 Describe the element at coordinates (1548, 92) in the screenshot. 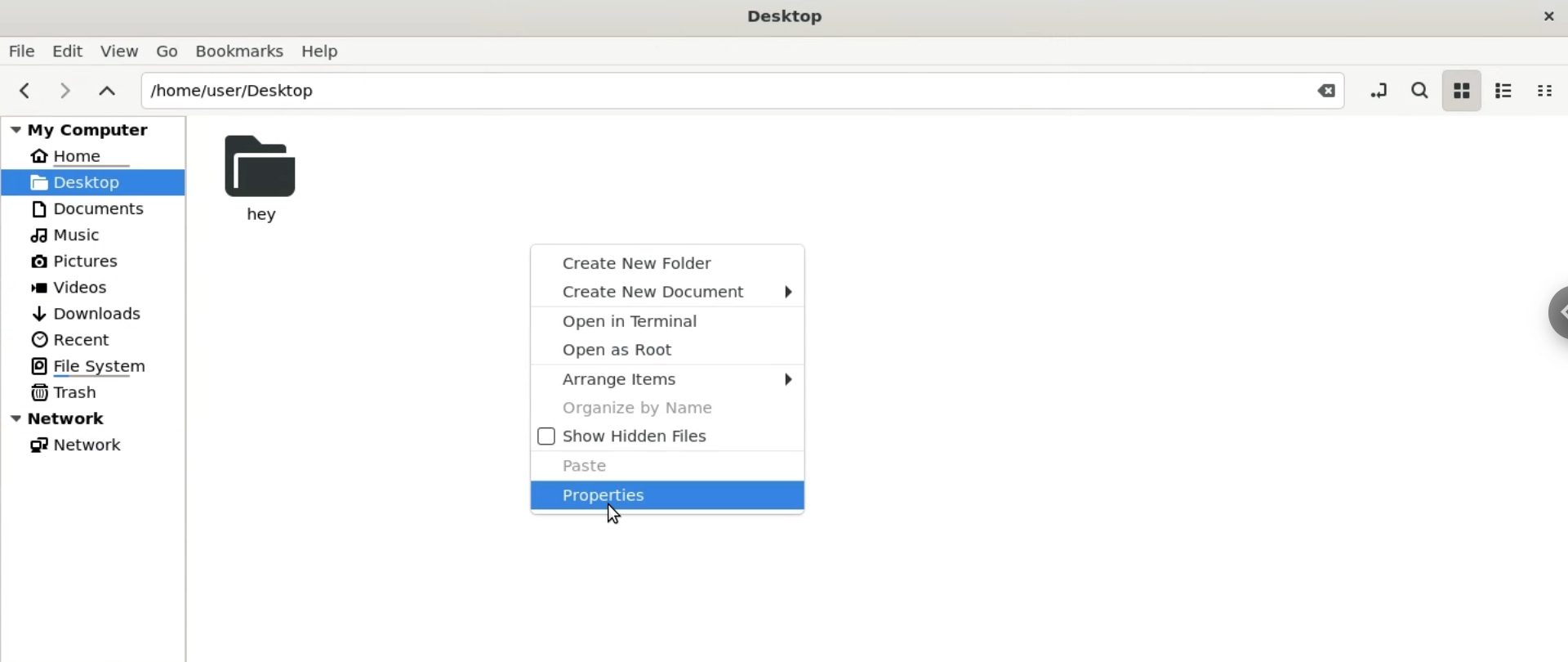

I see `compact view` at that location.